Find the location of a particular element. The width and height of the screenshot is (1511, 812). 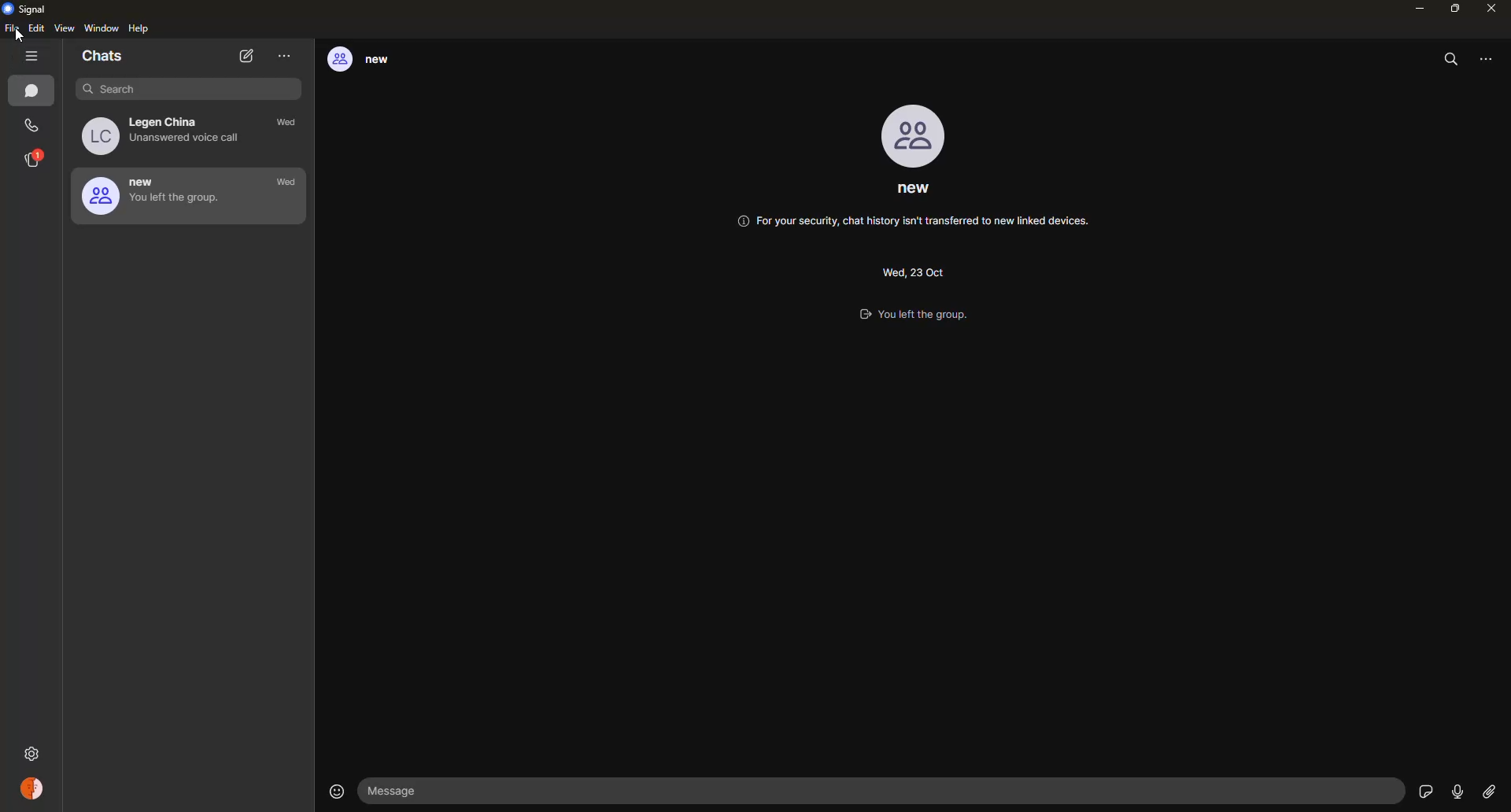

edit is located at coordinates (36, 29).